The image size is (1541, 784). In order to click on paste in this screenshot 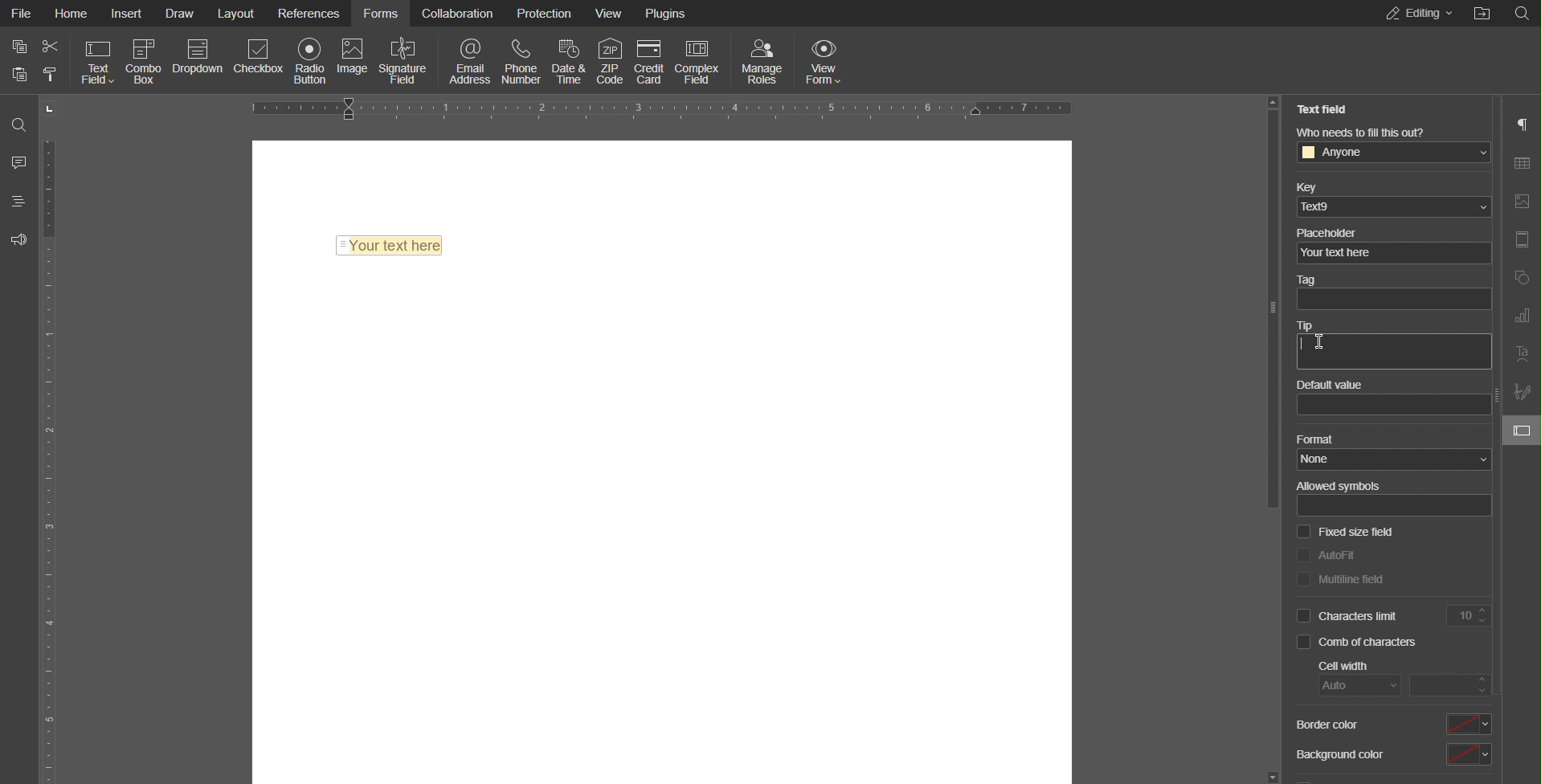, I will do `click(21, 75)`.